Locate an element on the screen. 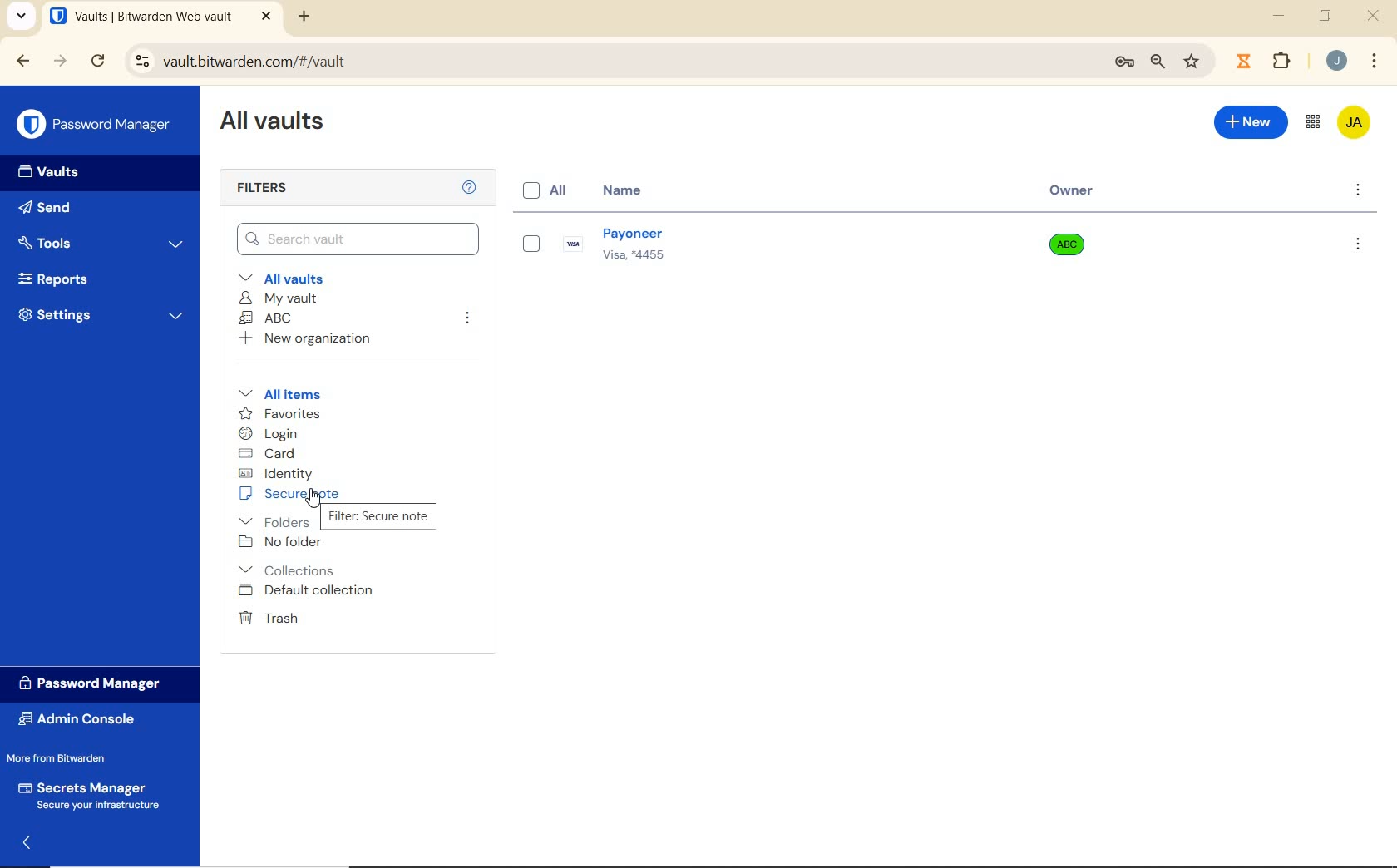 The height and width of the screenshot is (868, 1397). Default collection is located at coordinates (308, 591).